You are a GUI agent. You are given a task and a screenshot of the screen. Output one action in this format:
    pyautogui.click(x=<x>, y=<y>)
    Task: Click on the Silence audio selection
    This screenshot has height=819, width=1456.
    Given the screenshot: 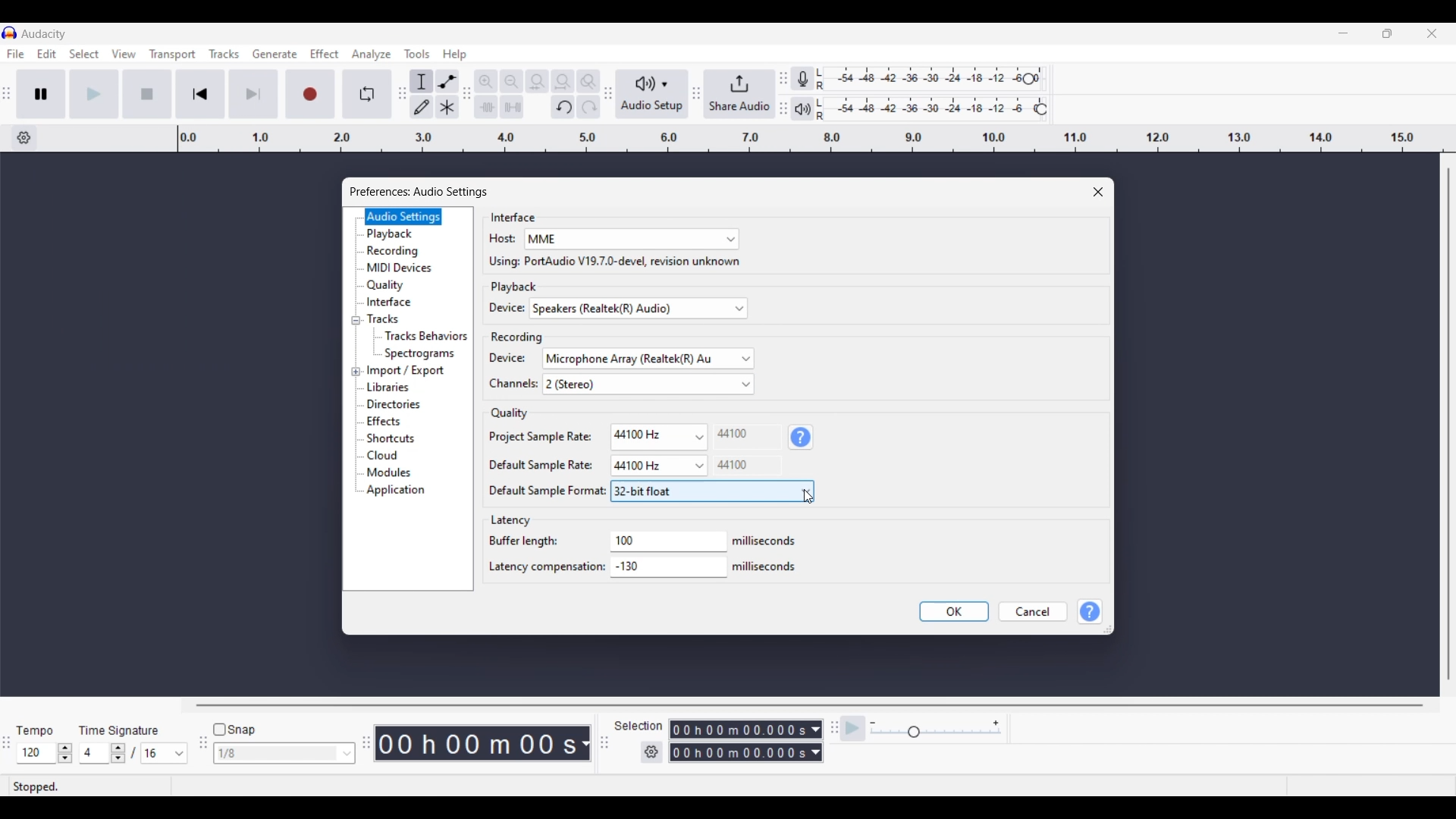 What is the action you would take?
    pyautogui.click(x=512, y=107)
    